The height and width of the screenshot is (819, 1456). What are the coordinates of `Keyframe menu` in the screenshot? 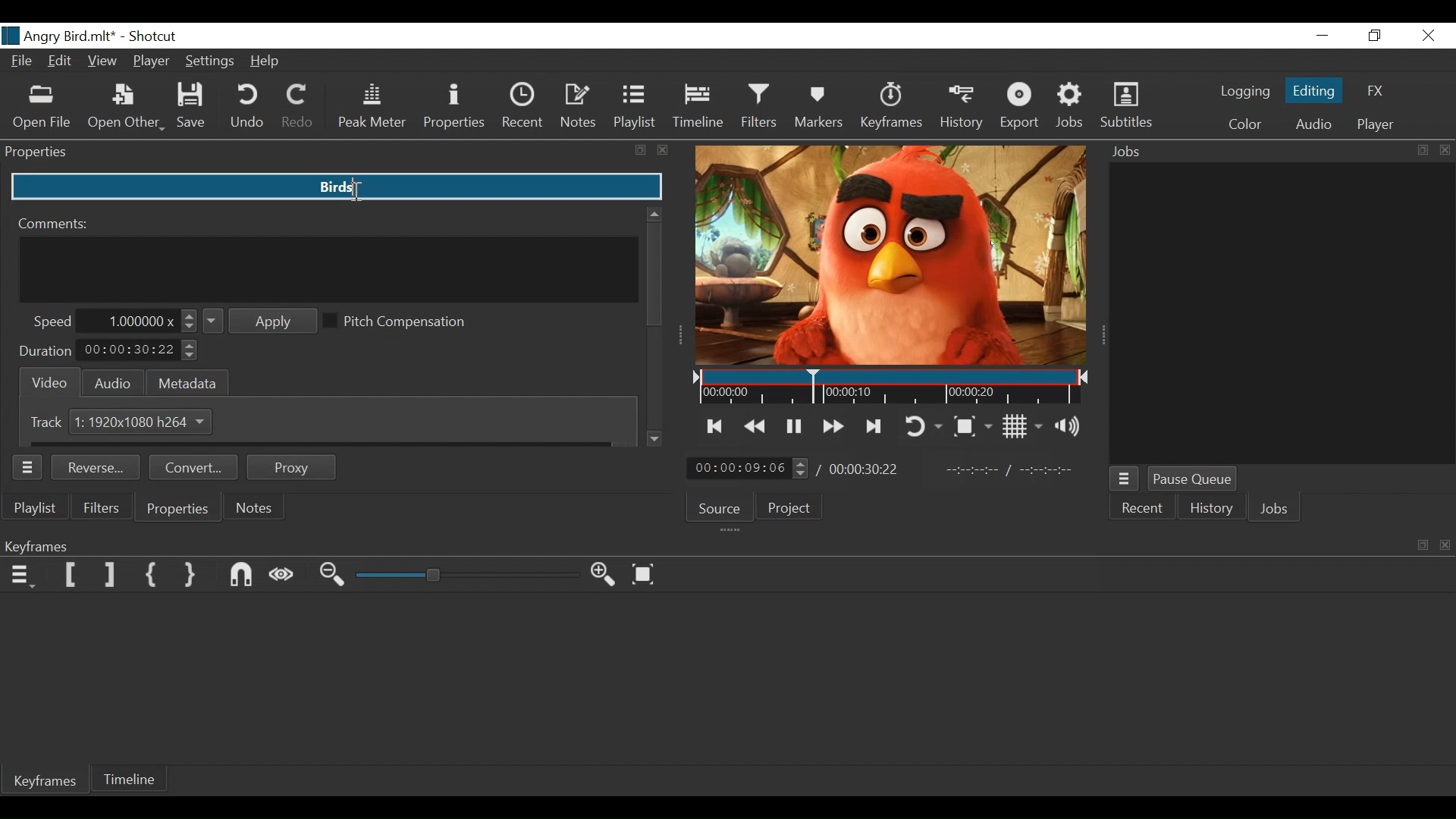 It's located at (24, 576).